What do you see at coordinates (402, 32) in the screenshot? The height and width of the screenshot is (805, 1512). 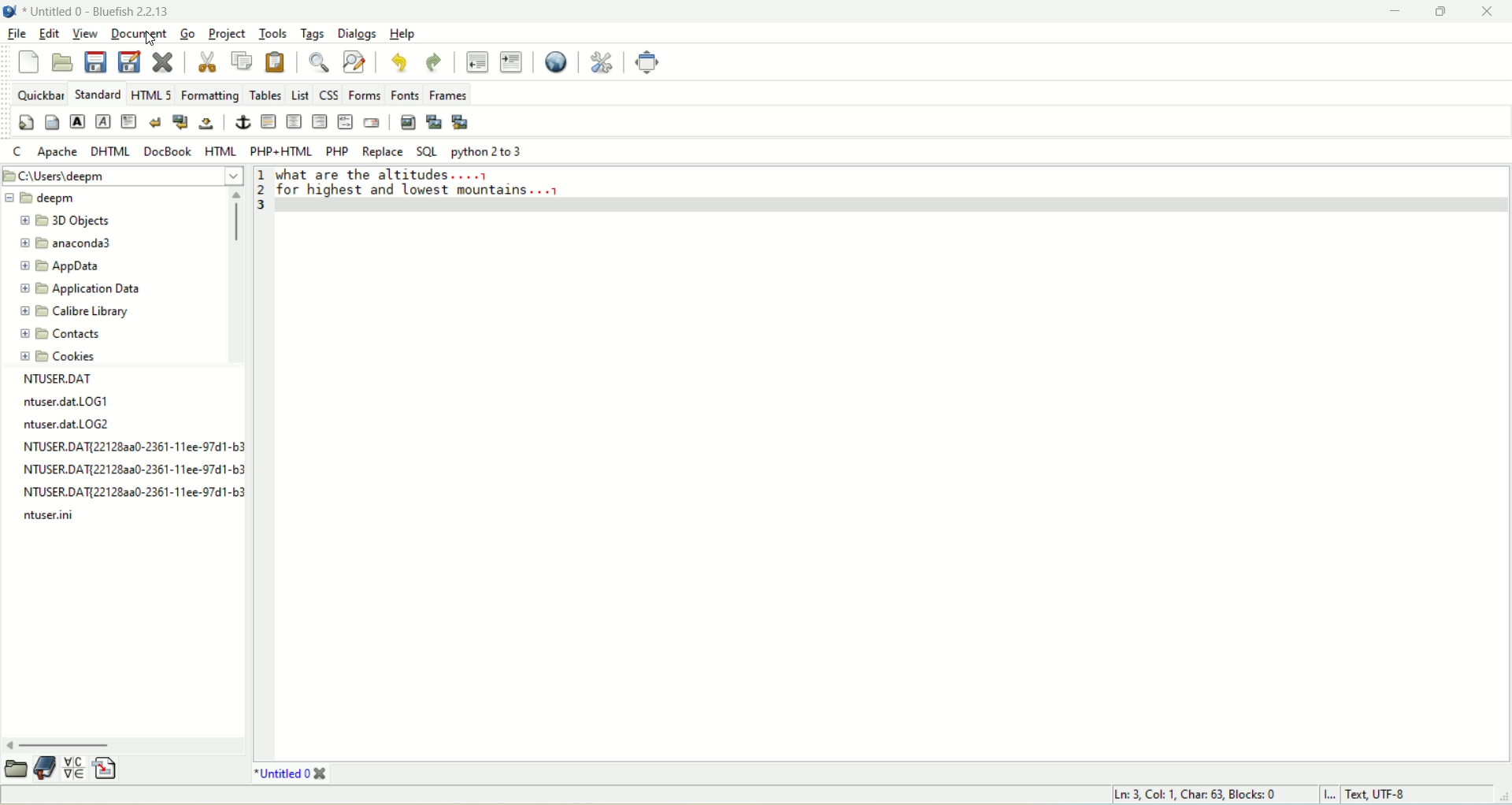 I see `help` at bounding box center [402, 32].